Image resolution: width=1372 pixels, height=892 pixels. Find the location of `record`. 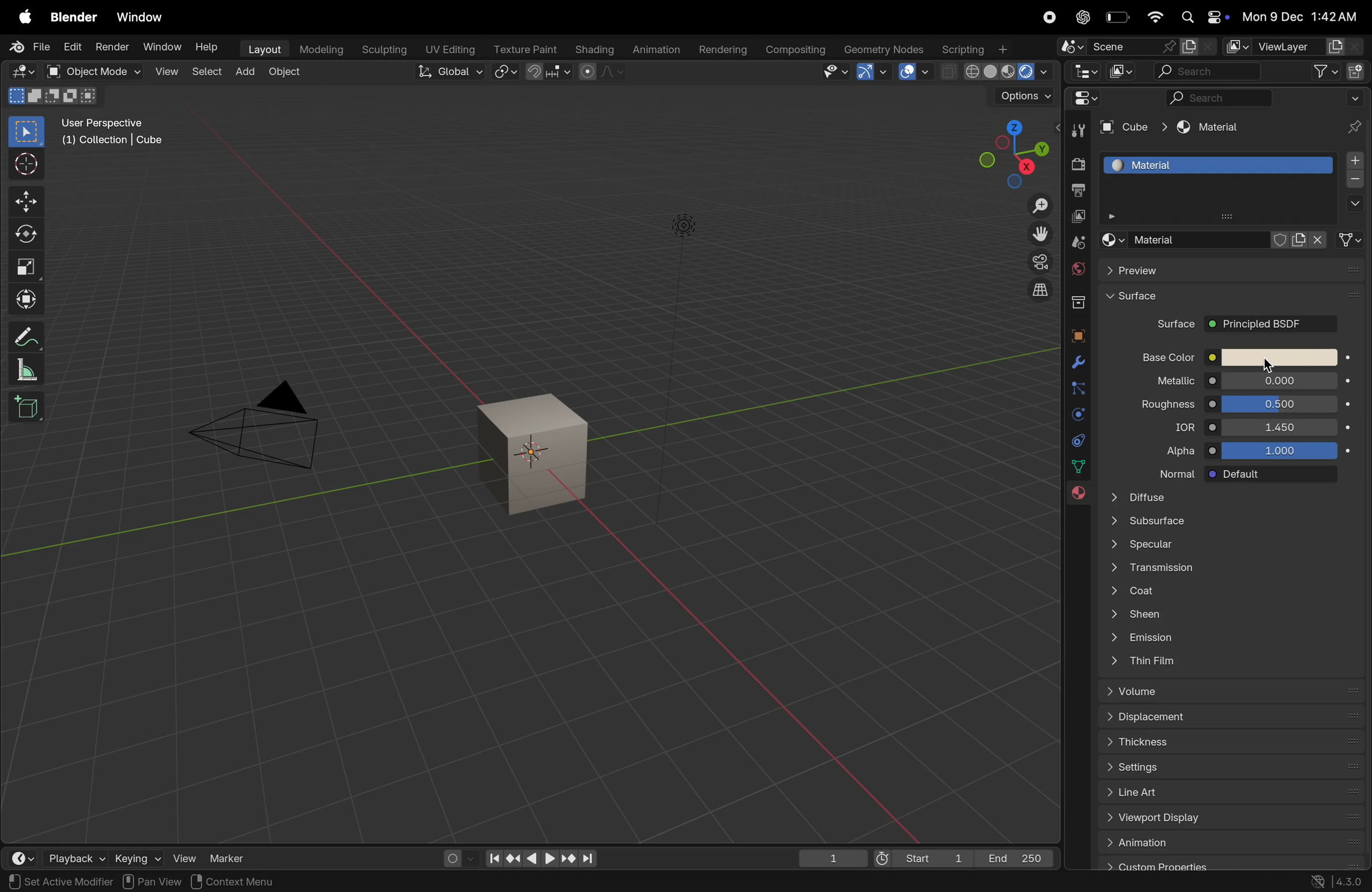

record is located at coordinates (1046, 17).